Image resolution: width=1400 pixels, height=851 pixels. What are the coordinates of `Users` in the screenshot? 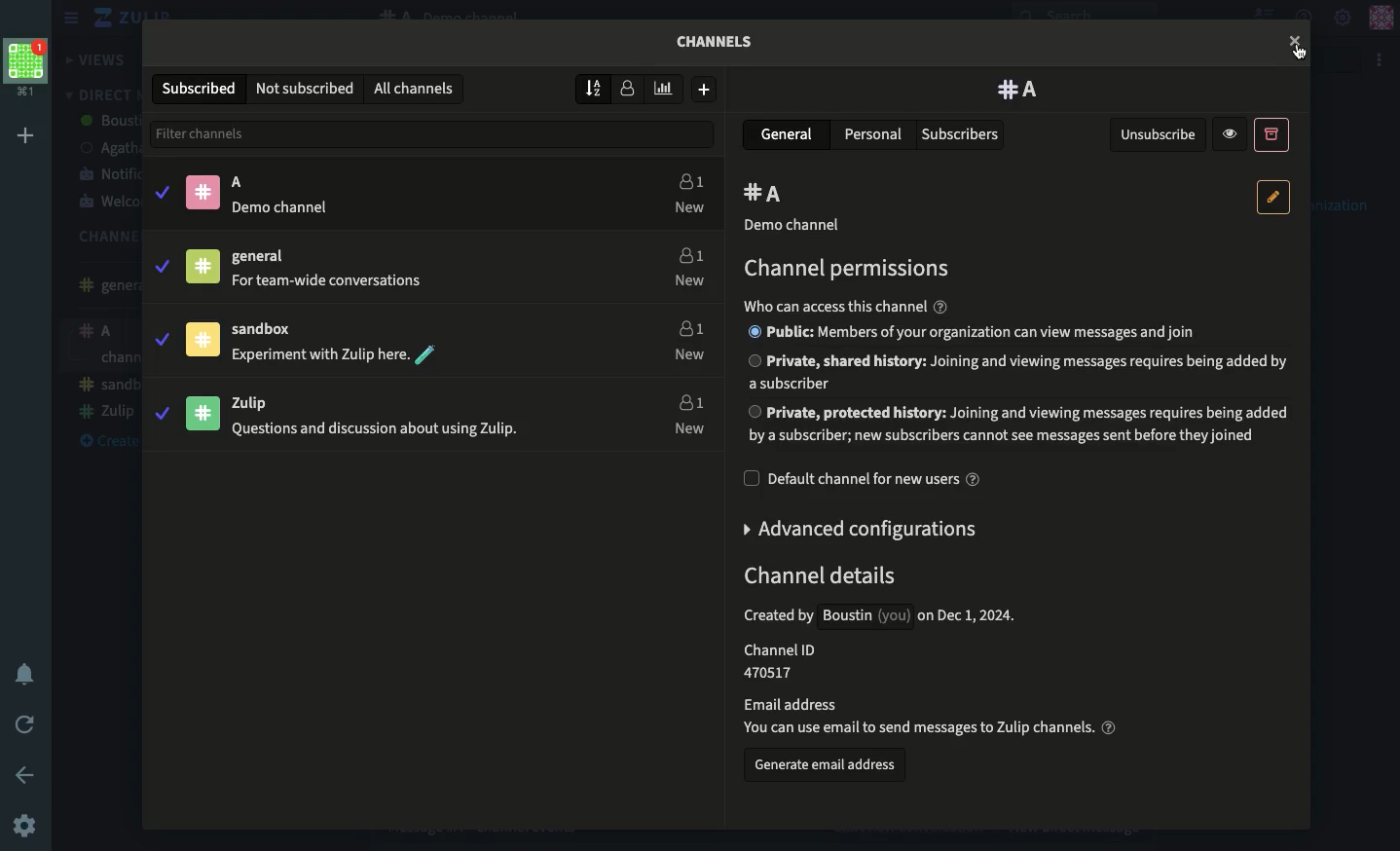 It's located at (685, 337).